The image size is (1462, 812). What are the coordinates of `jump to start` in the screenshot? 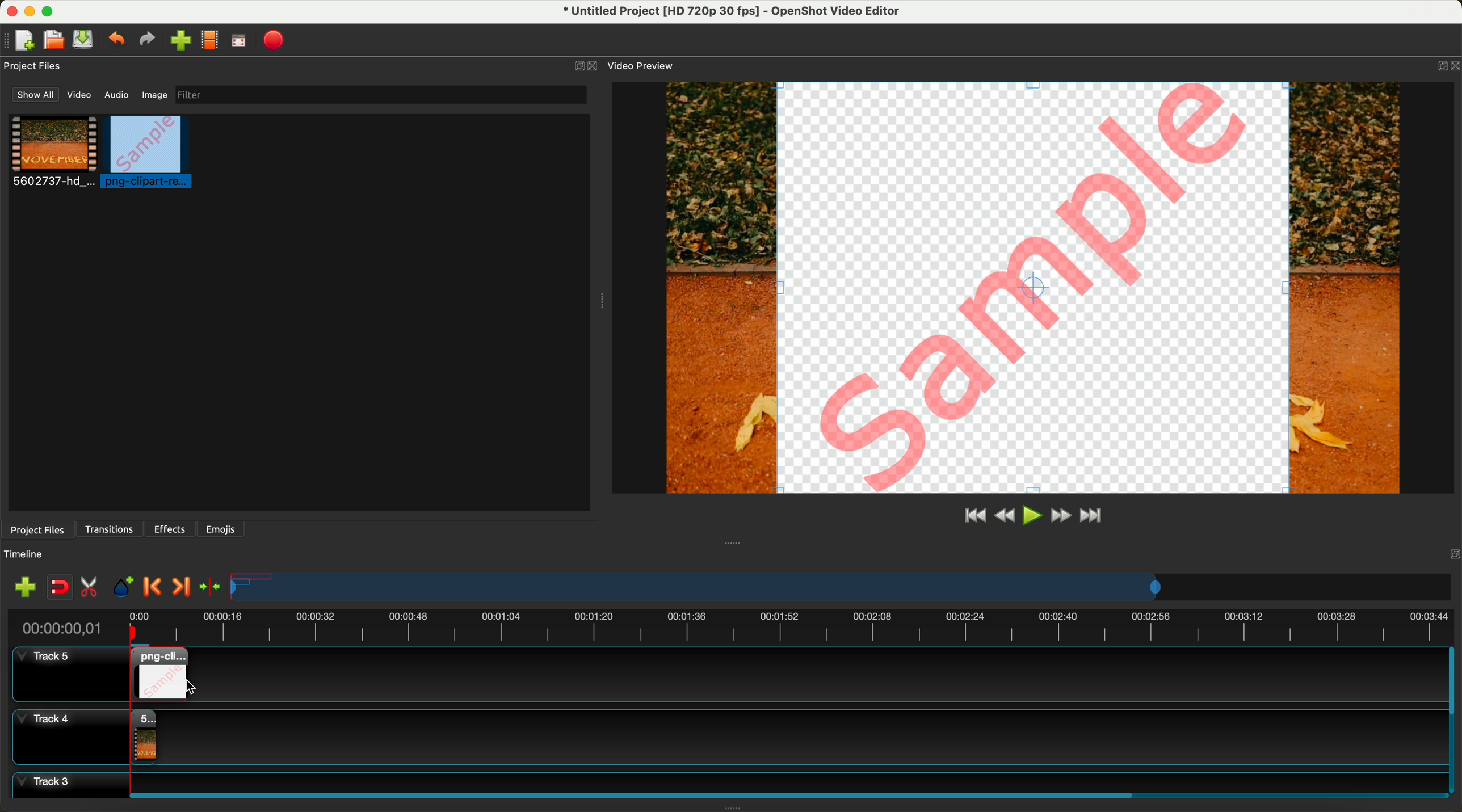 It's located at (975, 516).